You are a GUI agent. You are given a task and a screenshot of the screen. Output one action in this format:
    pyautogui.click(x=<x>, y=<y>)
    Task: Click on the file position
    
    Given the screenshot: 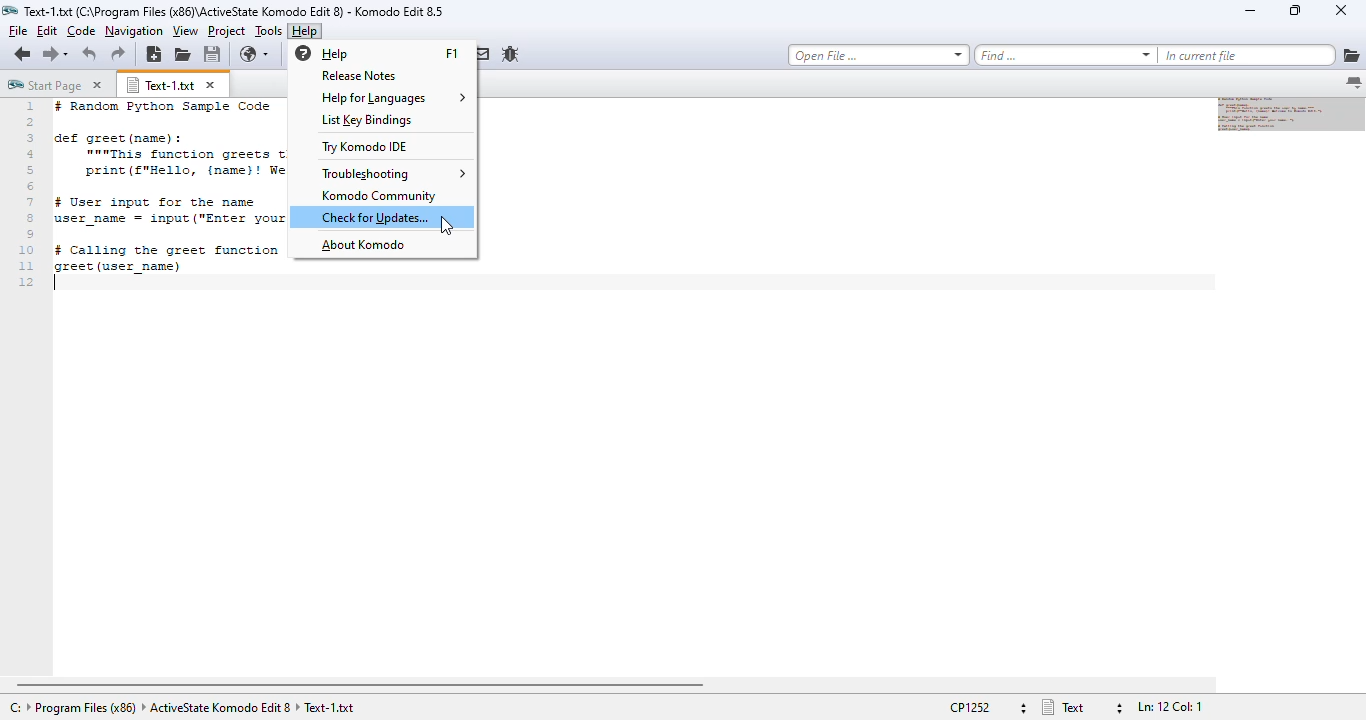 What is the action you would take?
    pyautogui.click(x=1170, y=707)
    